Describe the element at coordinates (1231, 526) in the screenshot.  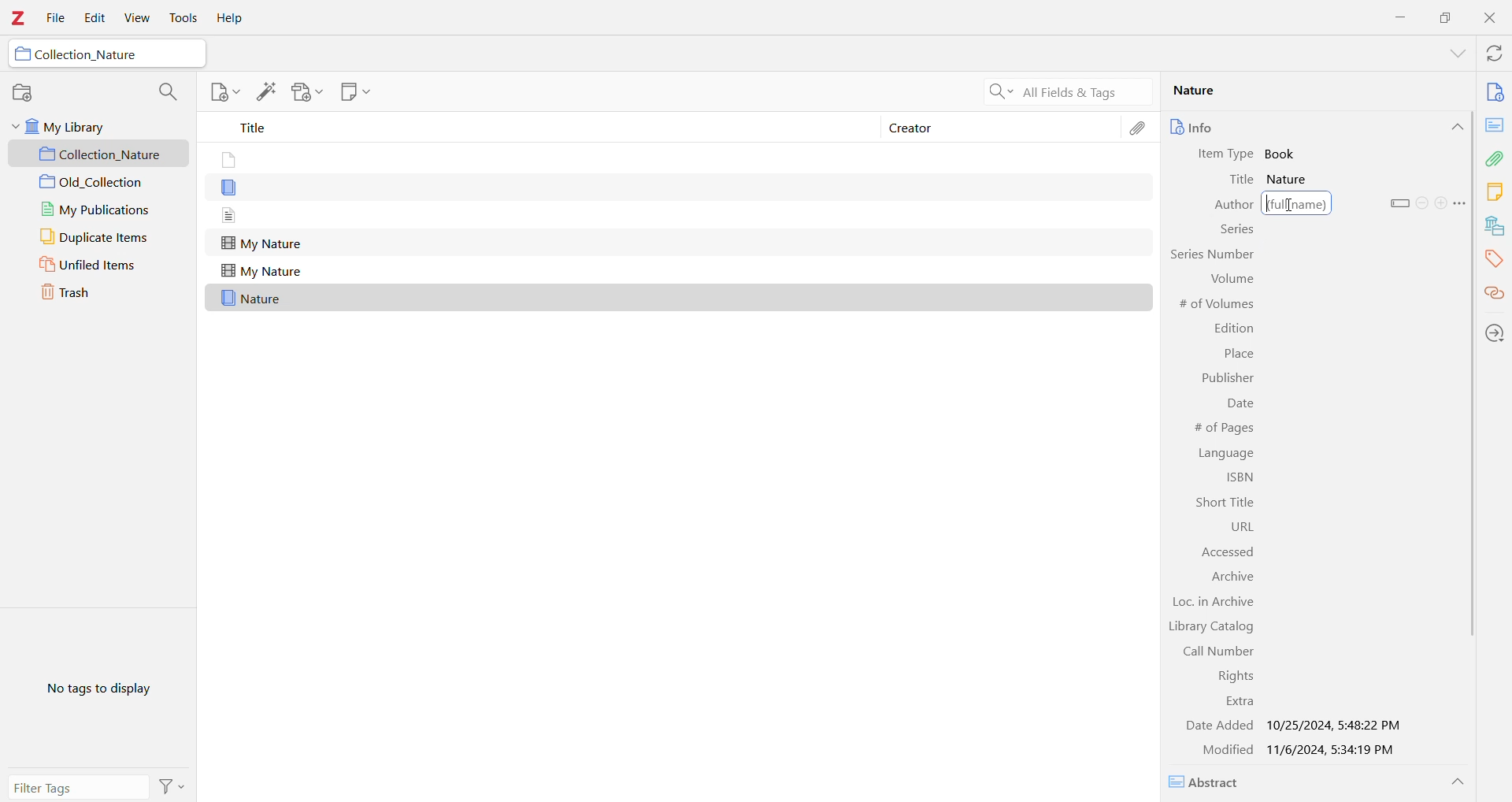
I see `URL` at that location.